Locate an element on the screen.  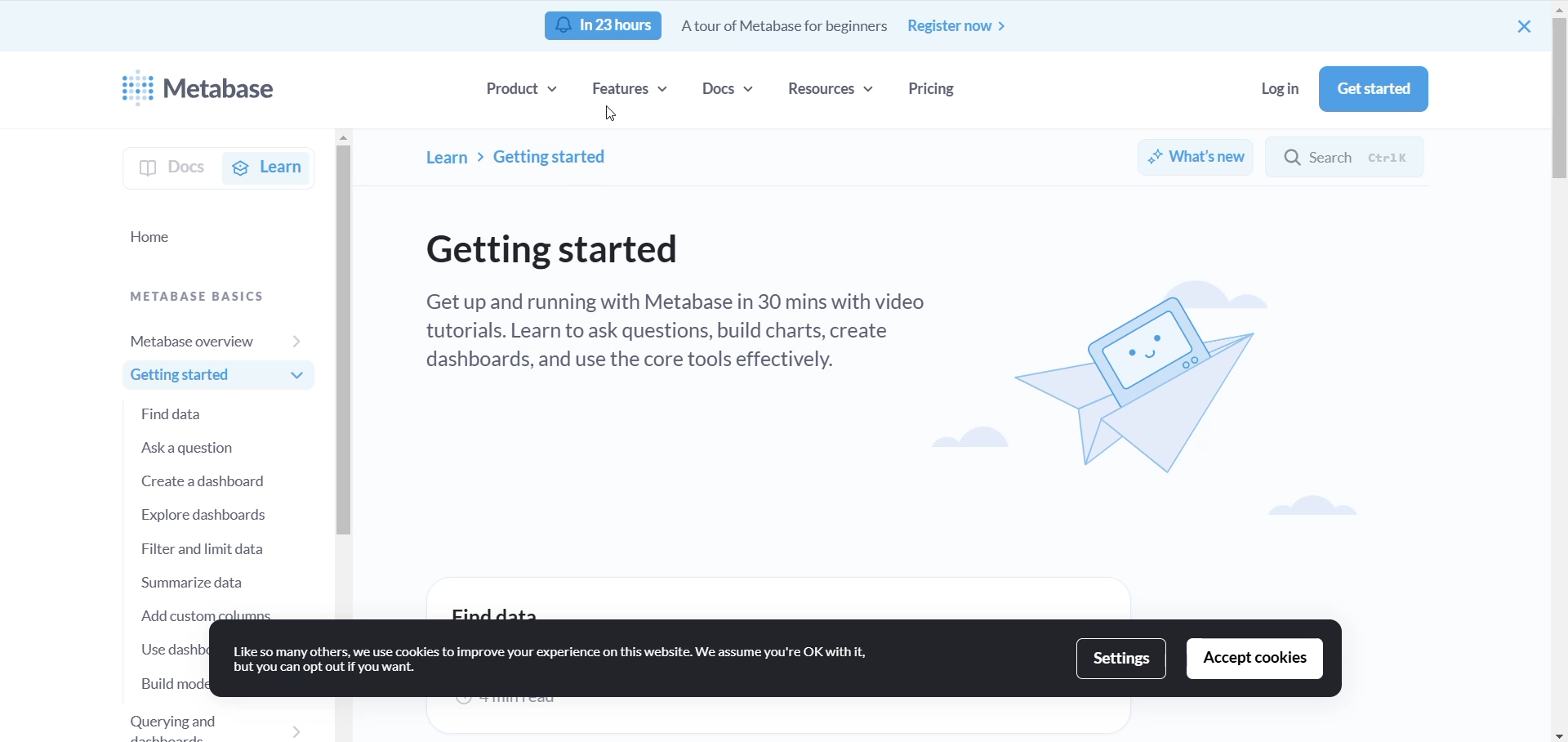
create a dashboard is located at coordinates (212, 481).